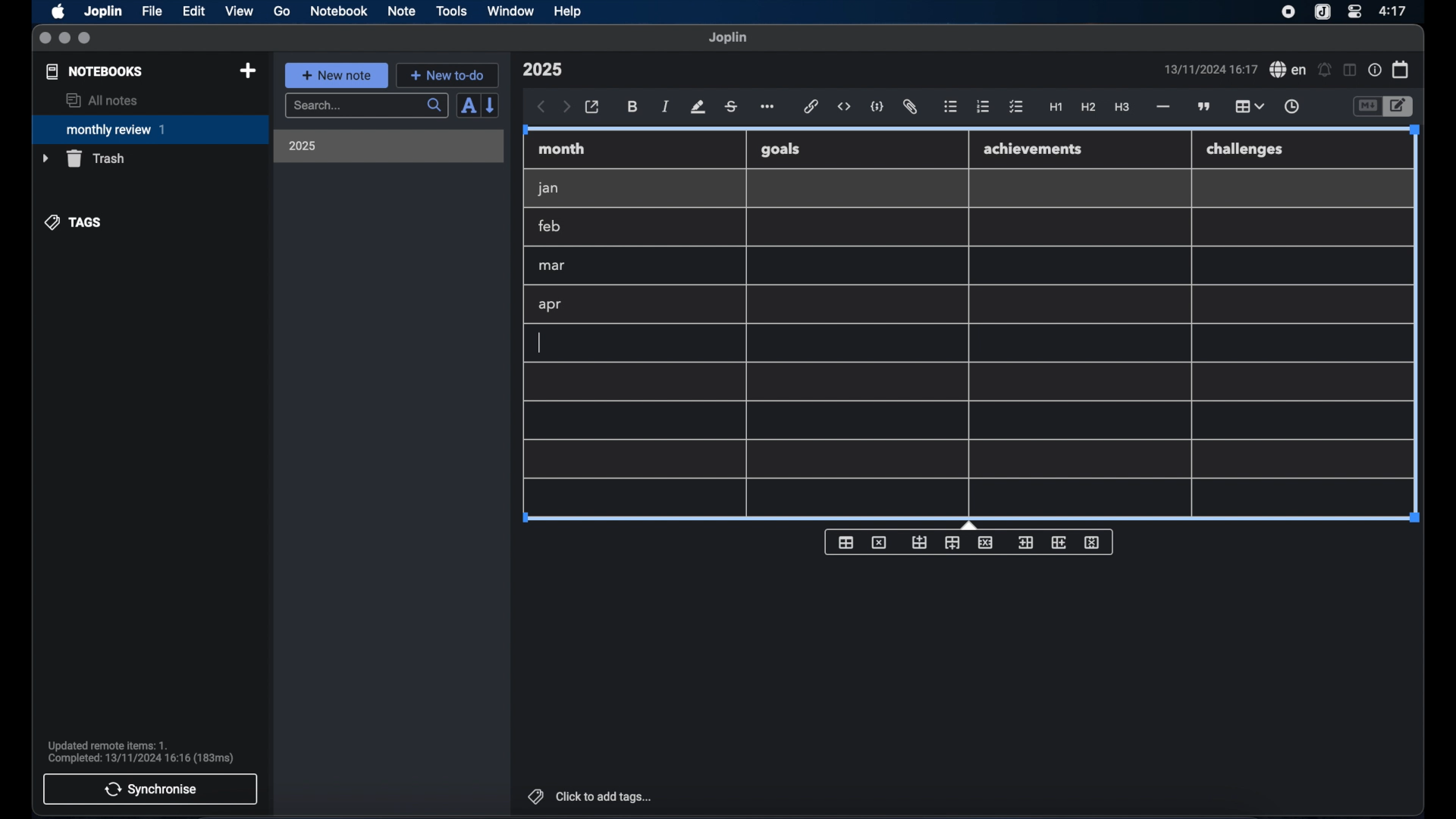 This screenshot has width=1456, height=819. What do you see at coordinates (1395, 11) in the screenshot?
I see `time` at bounding box center [1395, 11].